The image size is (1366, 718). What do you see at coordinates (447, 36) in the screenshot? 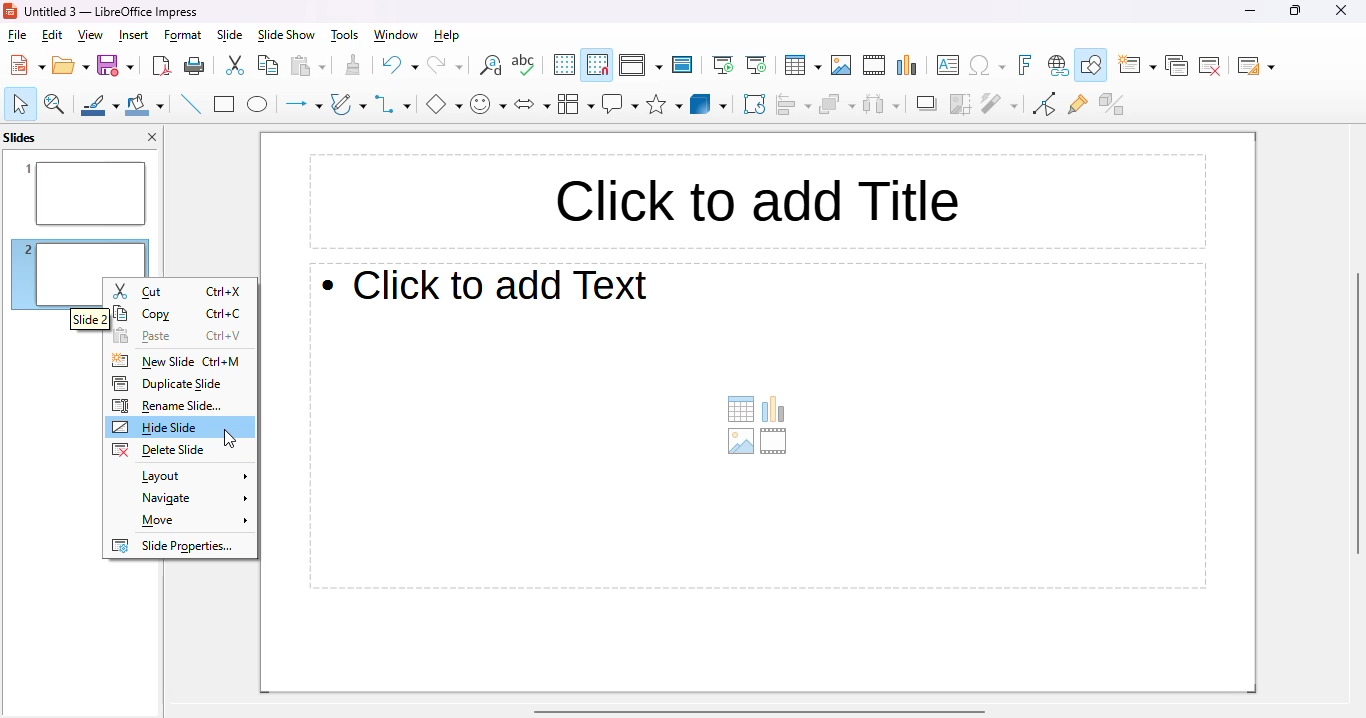
I see `help` at bounding box center [447, 36].